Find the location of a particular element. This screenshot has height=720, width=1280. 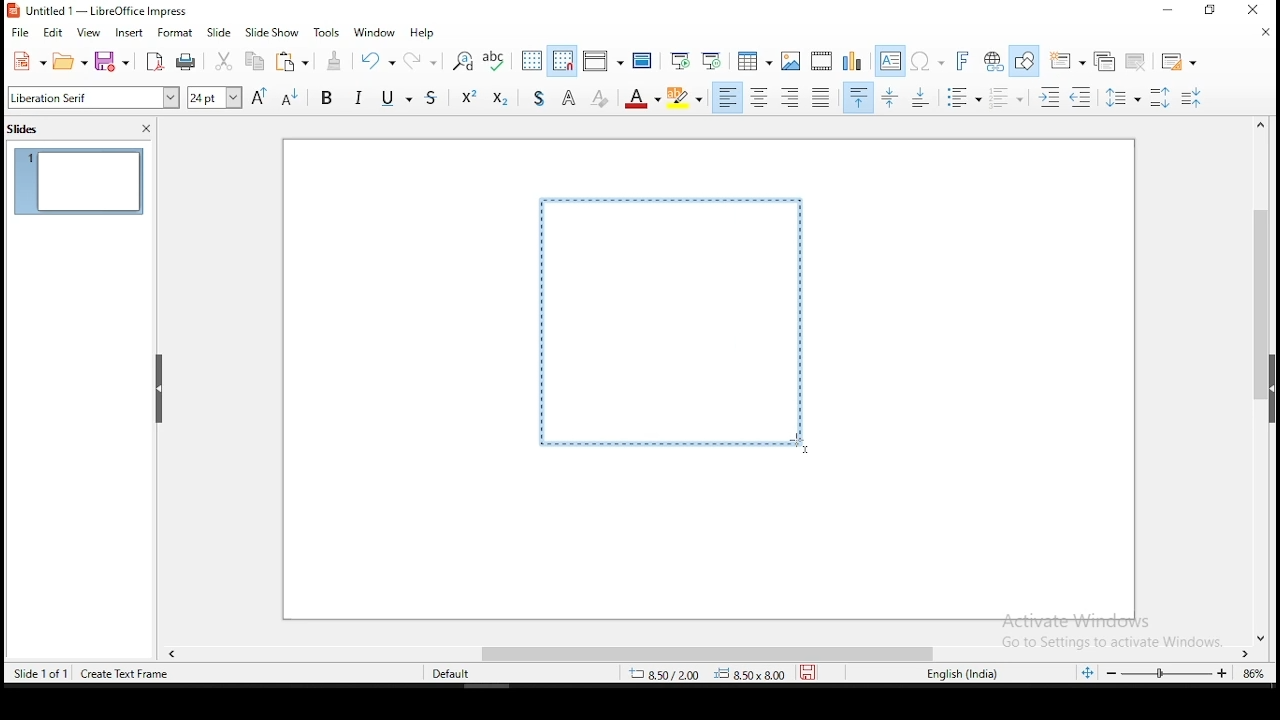

save is located at coordinates (806, 674).